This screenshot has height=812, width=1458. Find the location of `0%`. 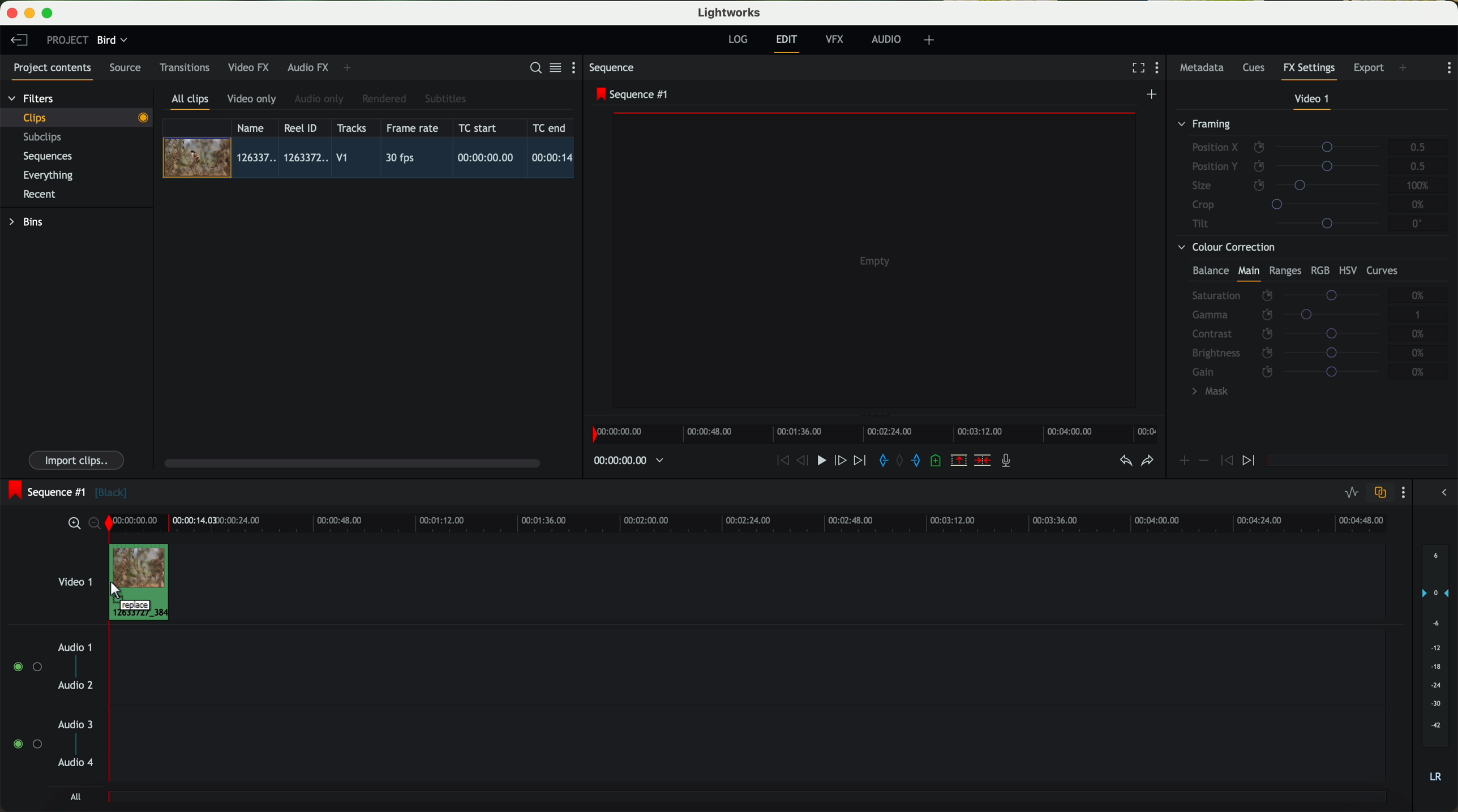

0% is located at coordinates (1418, 351).